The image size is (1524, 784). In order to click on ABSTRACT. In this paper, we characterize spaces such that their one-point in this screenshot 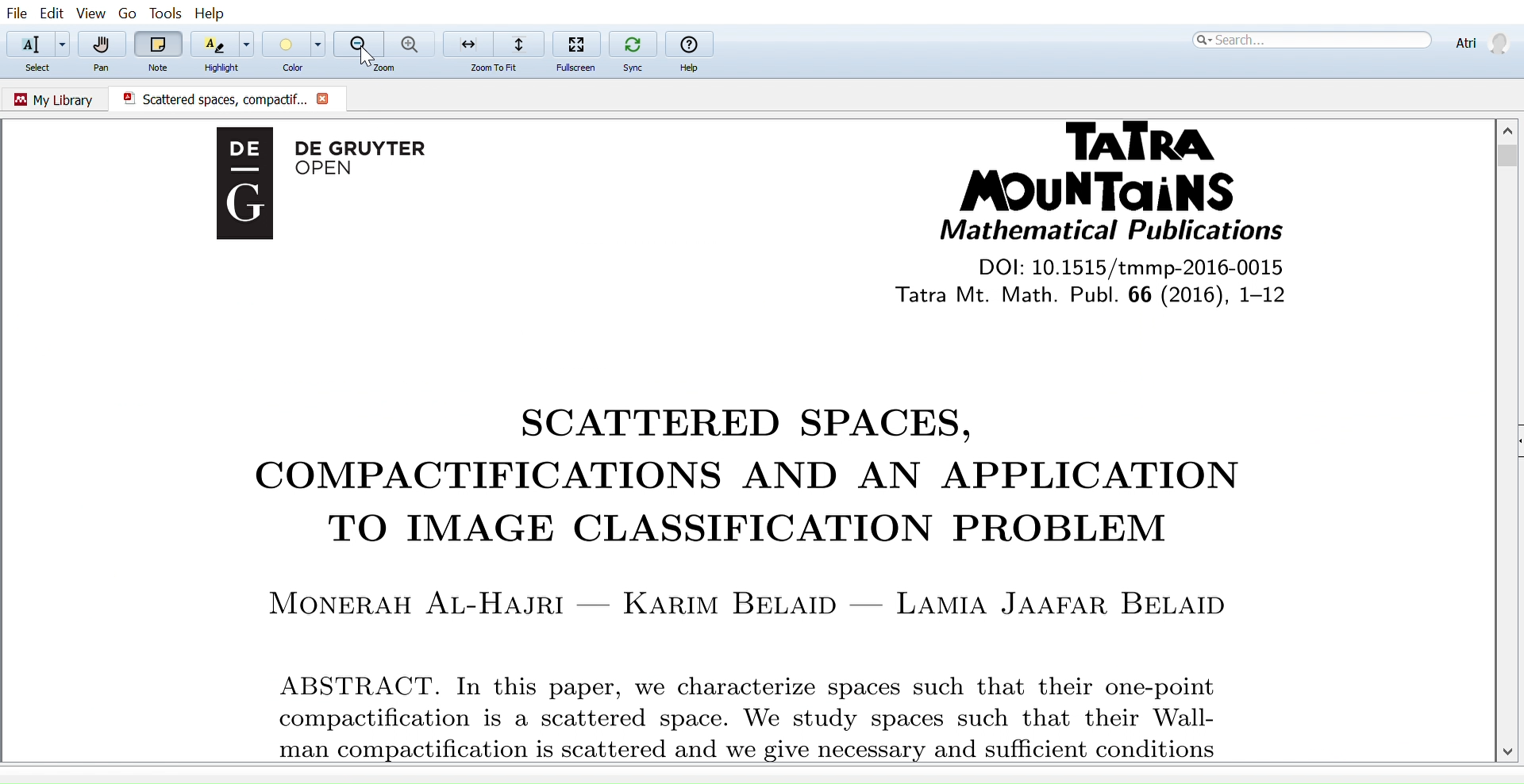, I will do `click(745, 686)`.